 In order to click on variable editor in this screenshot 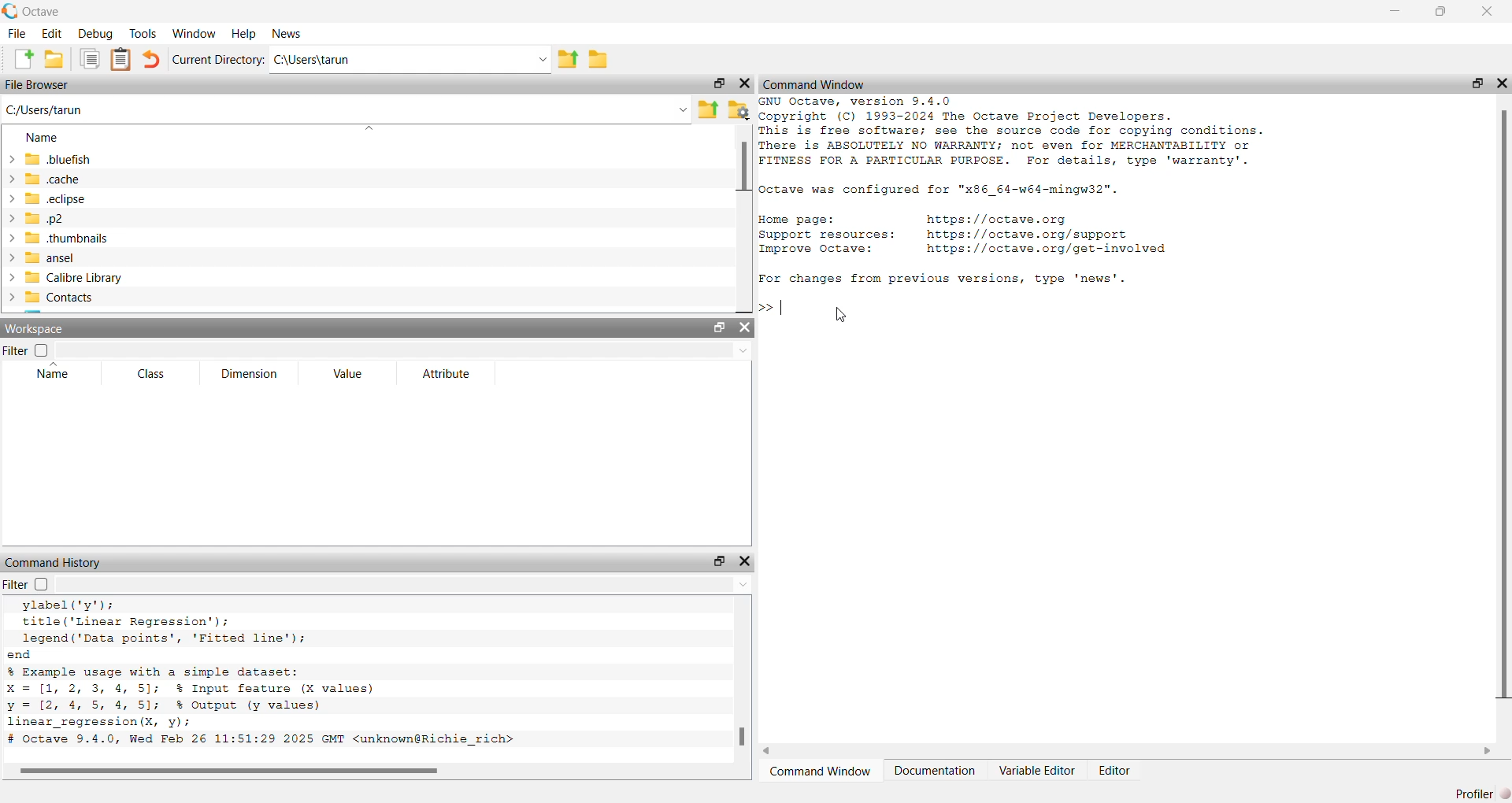, I will do `click(1038, 770)`.